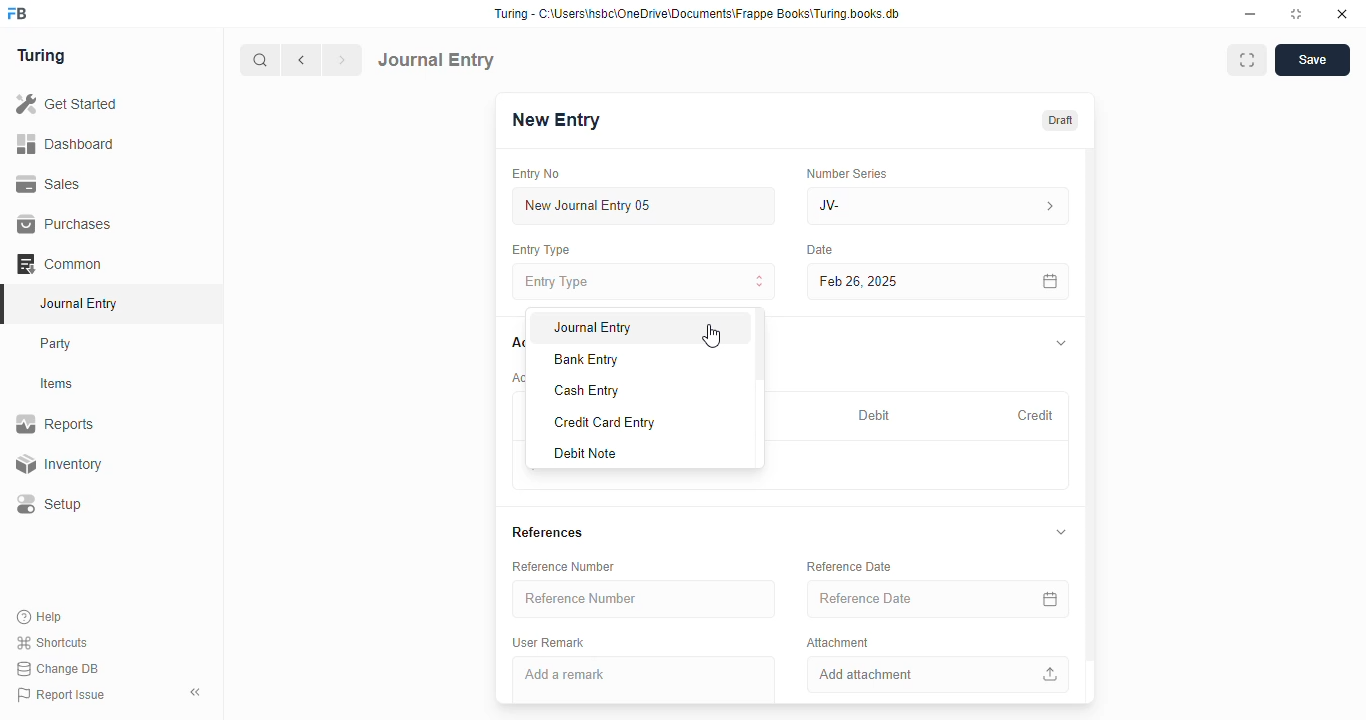 The image size is (1366, 720). Describe the element at coordinates (1059, 120) in the screenshot. I see `draft` at that location.